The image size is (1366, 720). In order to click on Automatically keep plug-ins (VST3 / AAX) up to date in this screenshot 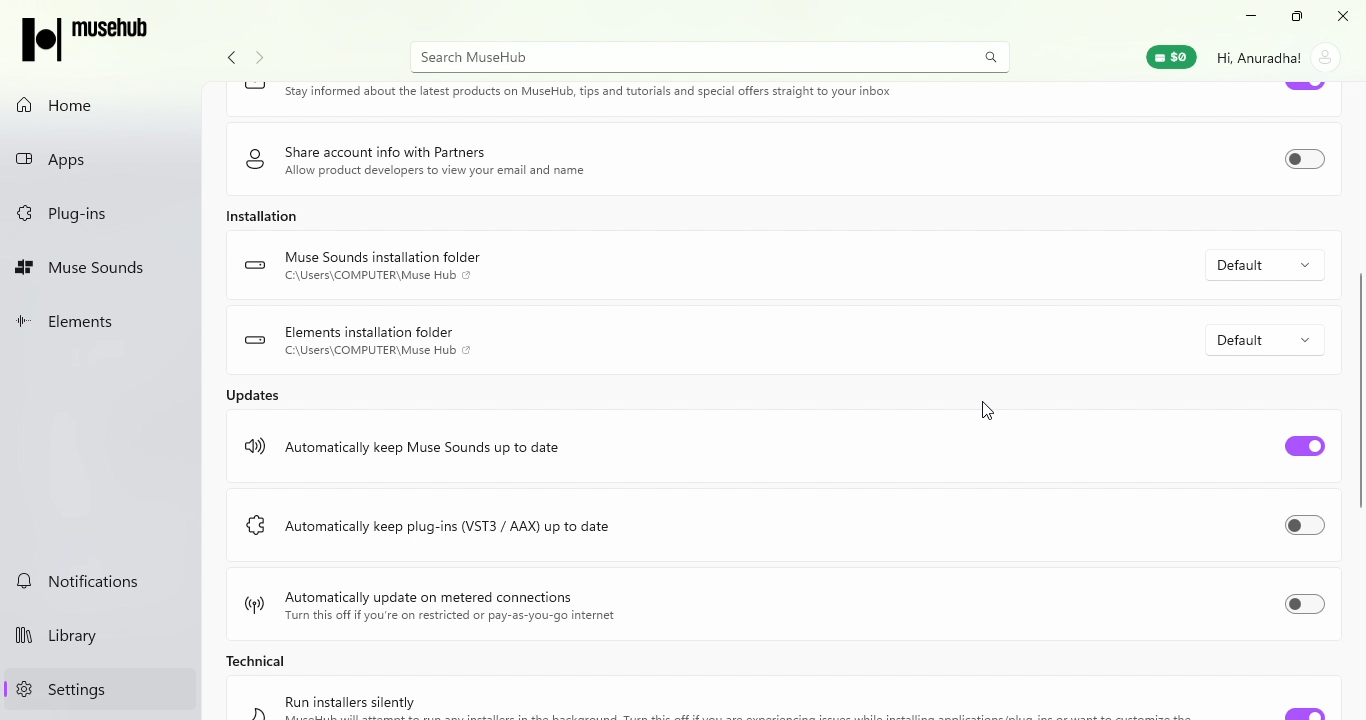, I will do `click(456, 524)`.